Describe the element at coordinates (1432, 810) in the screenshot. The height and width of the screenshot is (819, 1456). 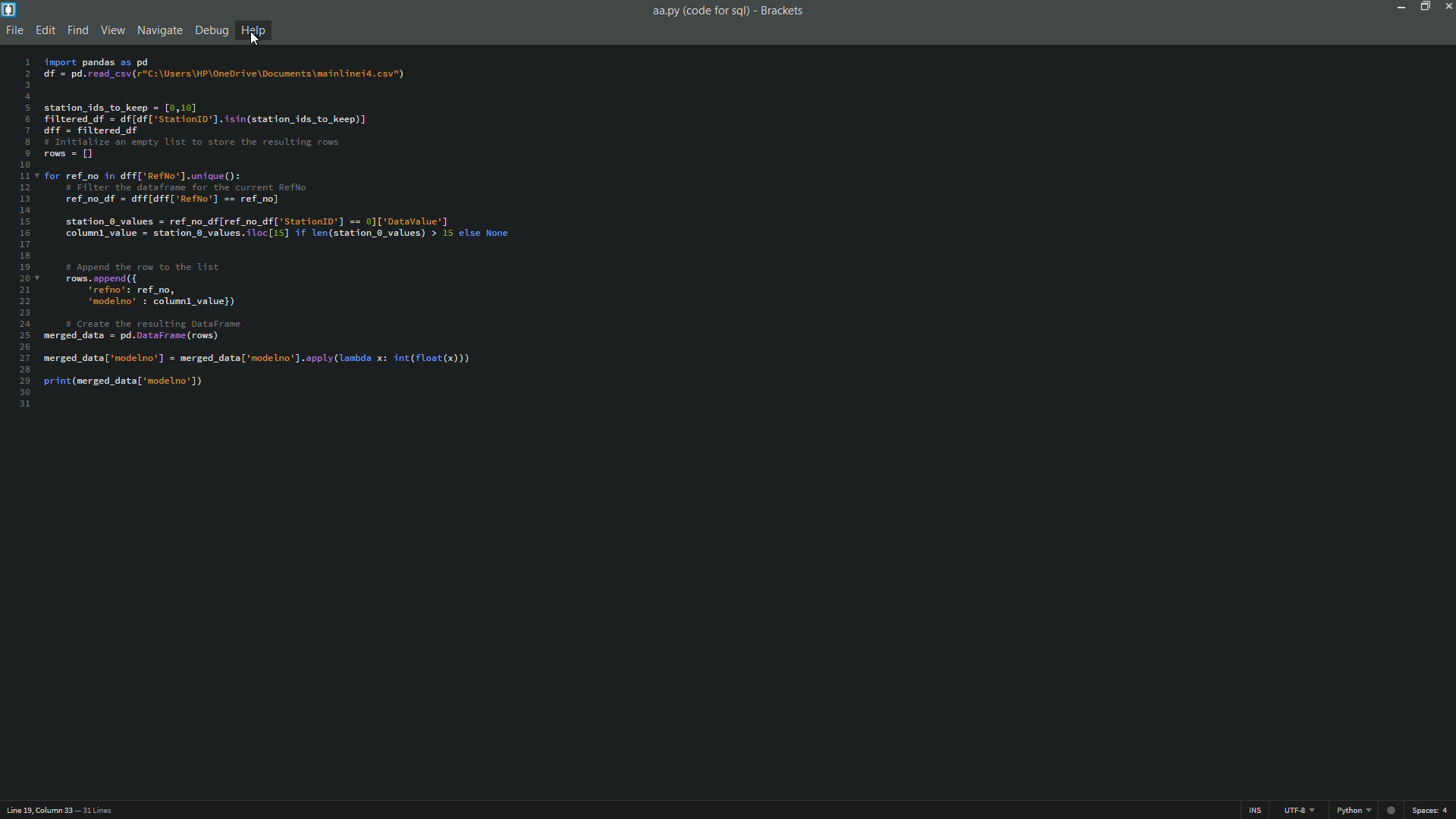
I see `space` at that location.